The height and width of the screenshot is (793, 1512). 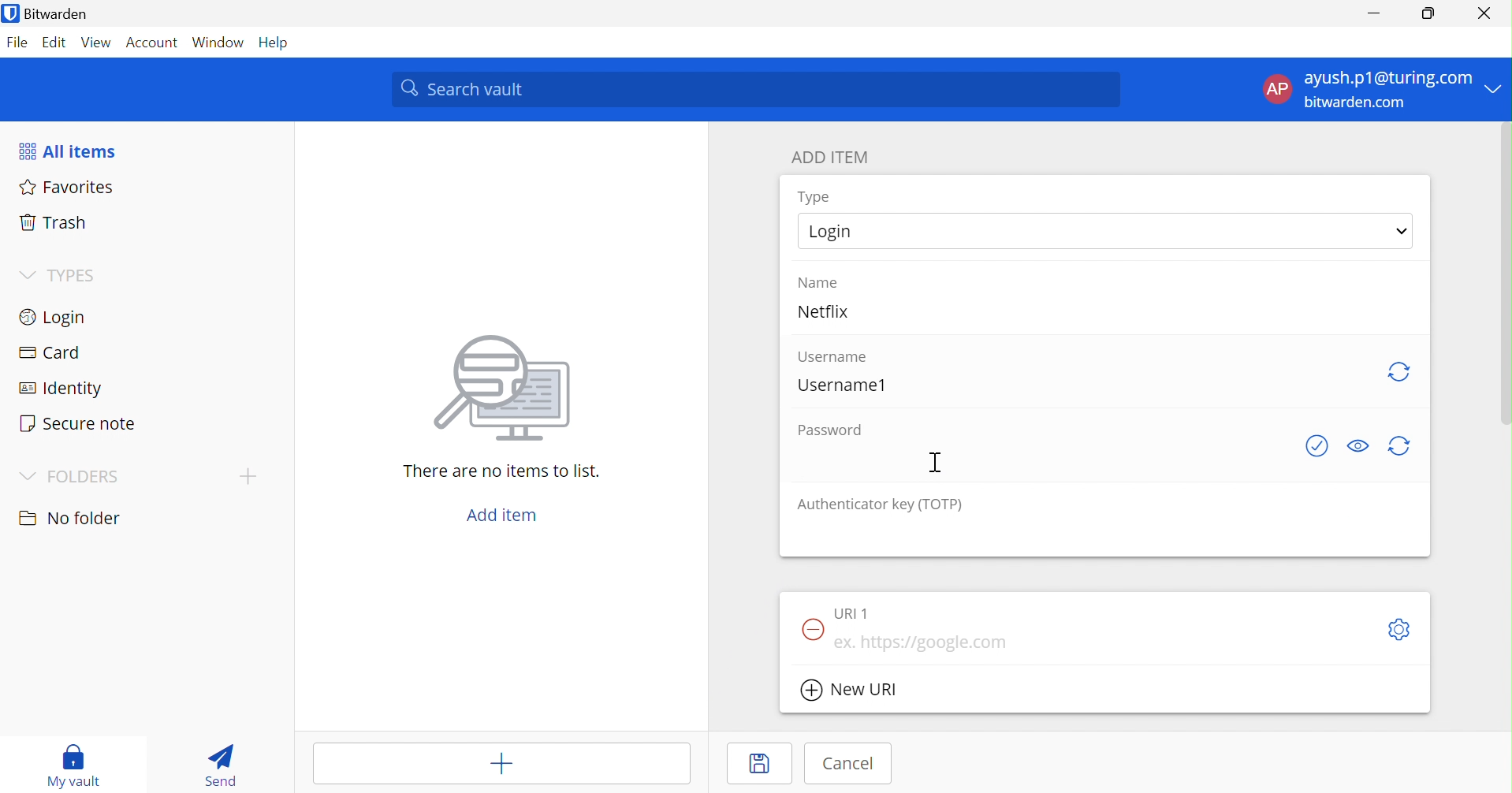 What do you see at coordinates (498, 471) in the screenshot?
I see `There are no items to list.` at bounding box center [498, 471].